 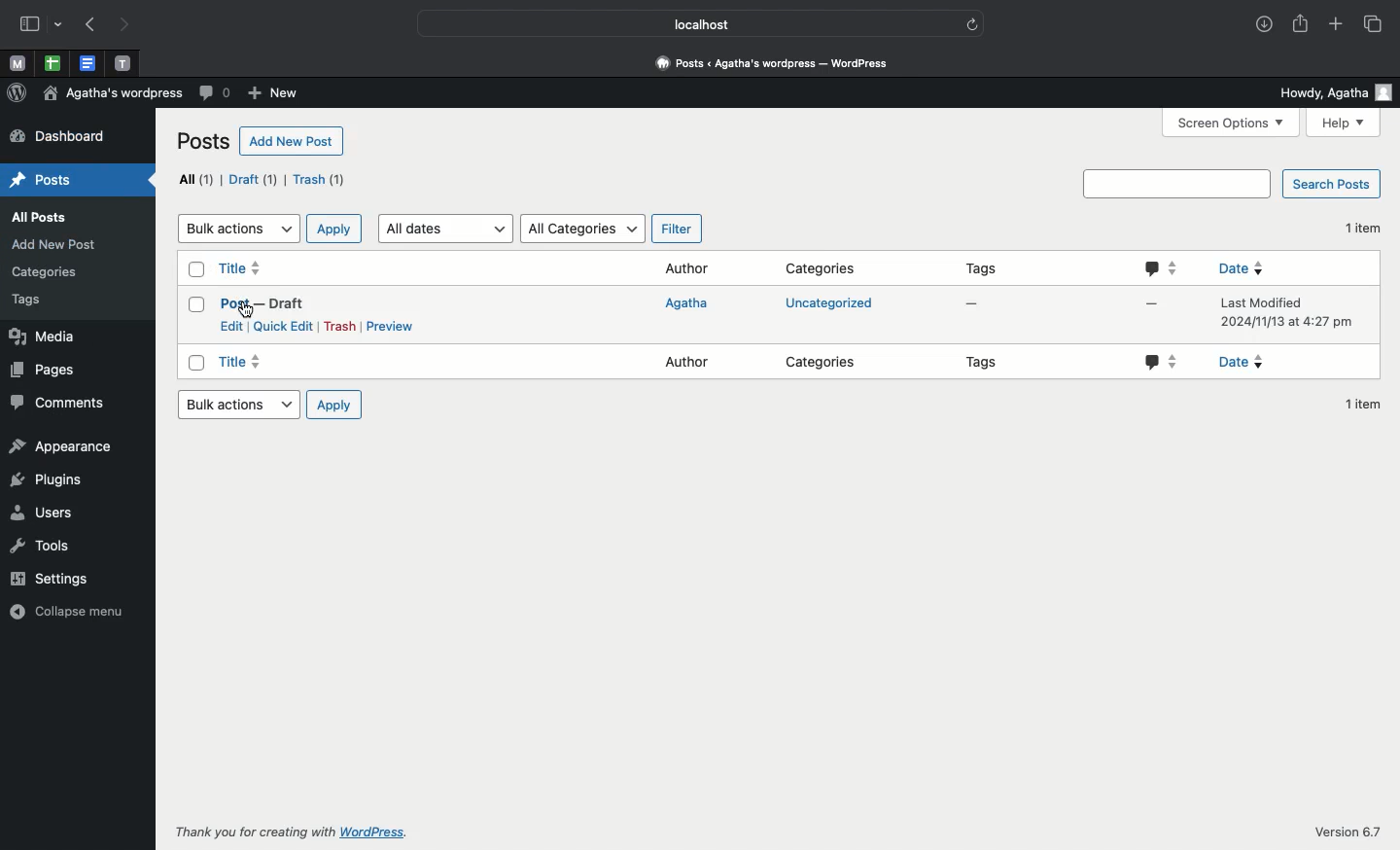 I want to click on Bulk actions, so click(x=237, y=406).